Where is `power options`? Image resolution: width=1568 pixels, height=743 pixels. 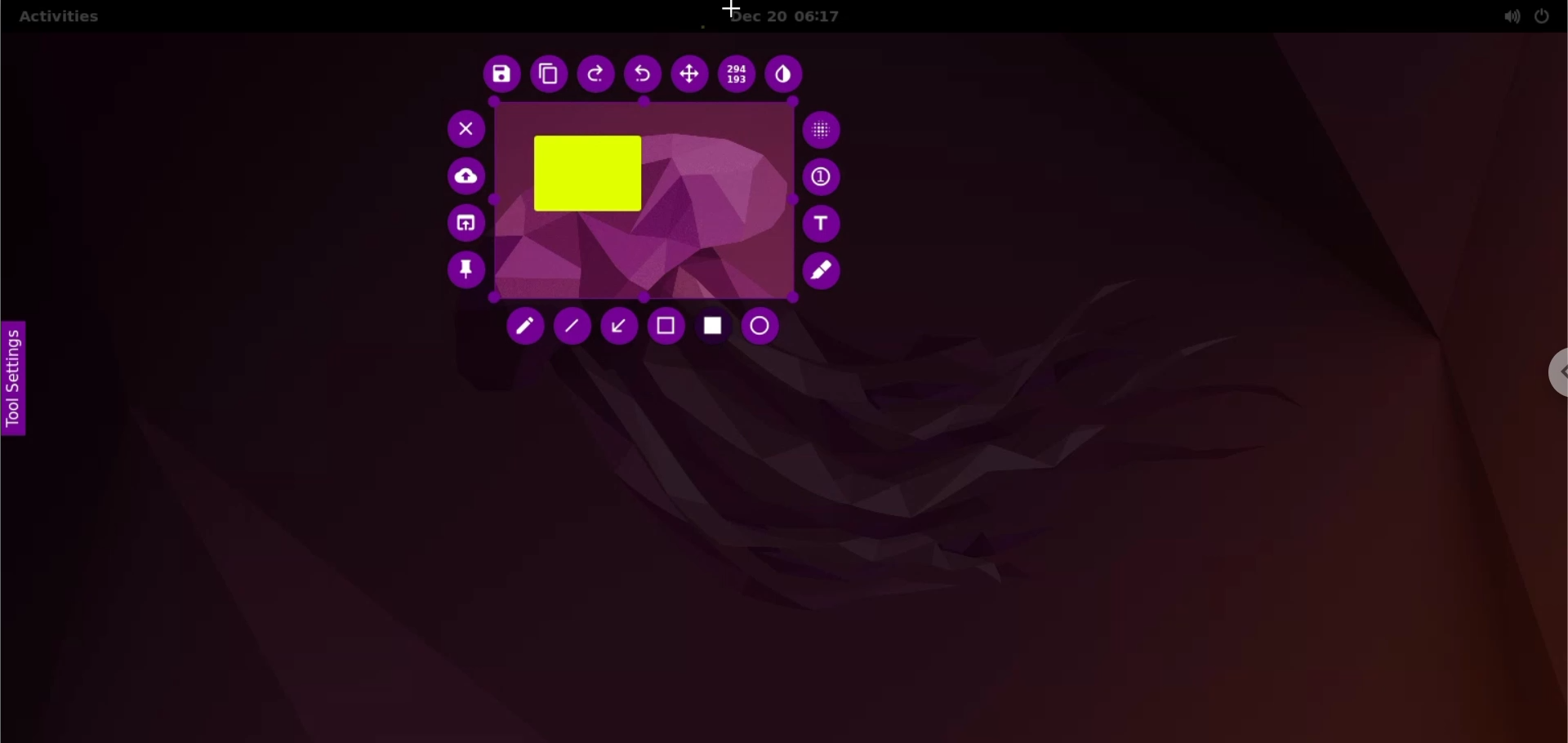
power options is located at coordinates (1543, 16).